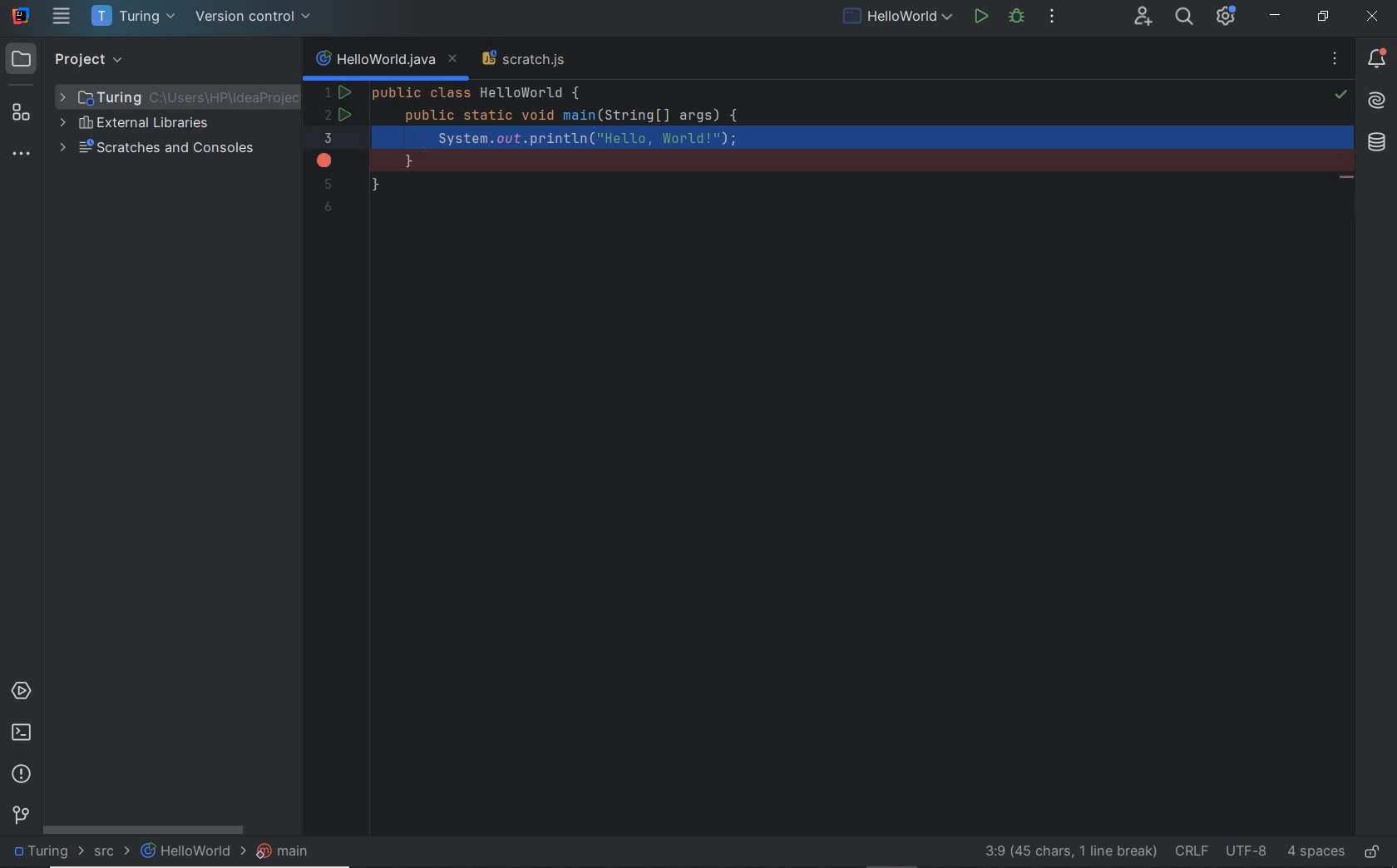  What do you see at coordinates (20, 155) in the screenshot?
I see `more tool windows` at bounding box center [20, 155].